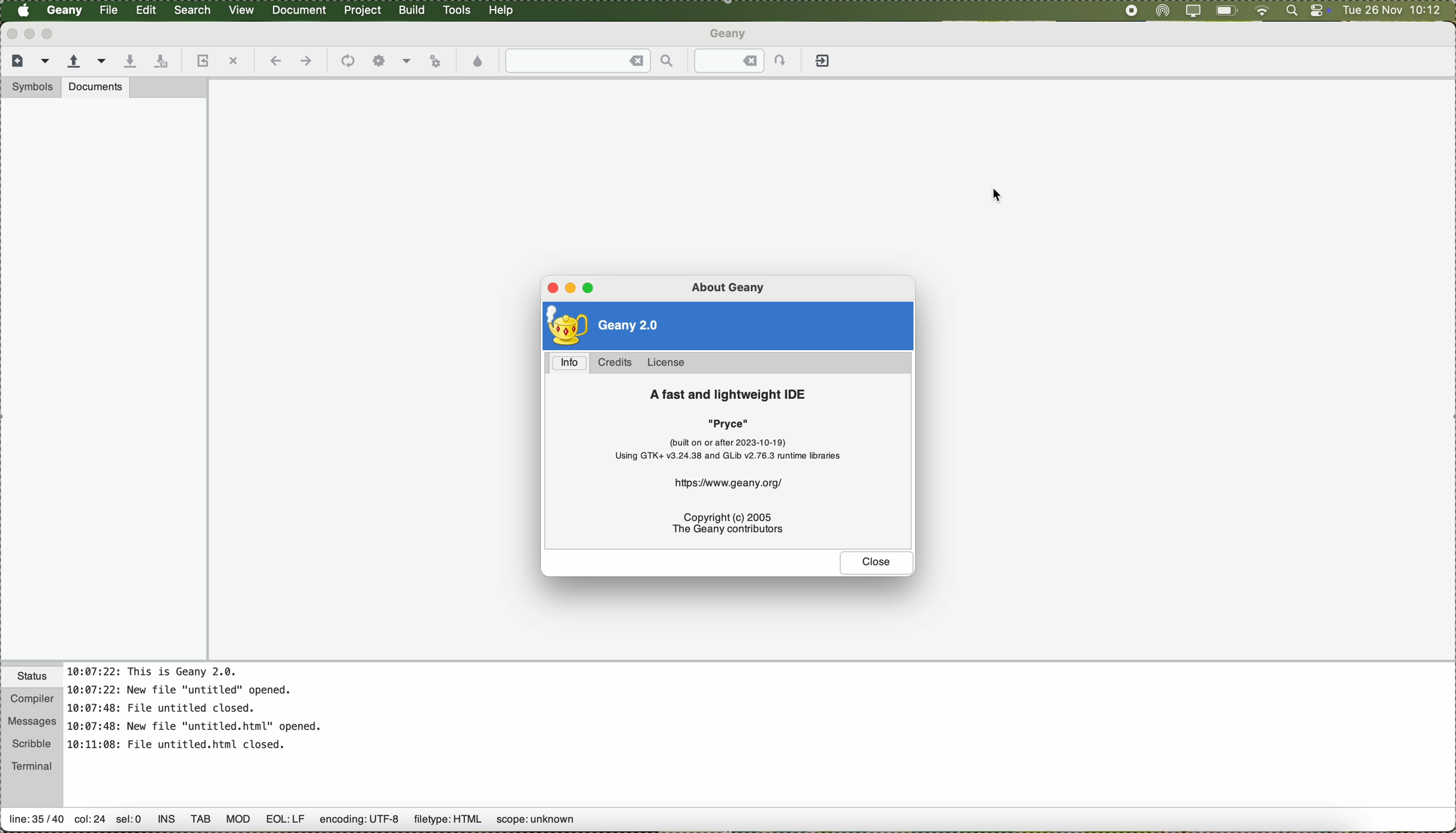 The width and height of the screenshot is (1456, 833). I want to click on about Geany pop-up, so click(730, 285).